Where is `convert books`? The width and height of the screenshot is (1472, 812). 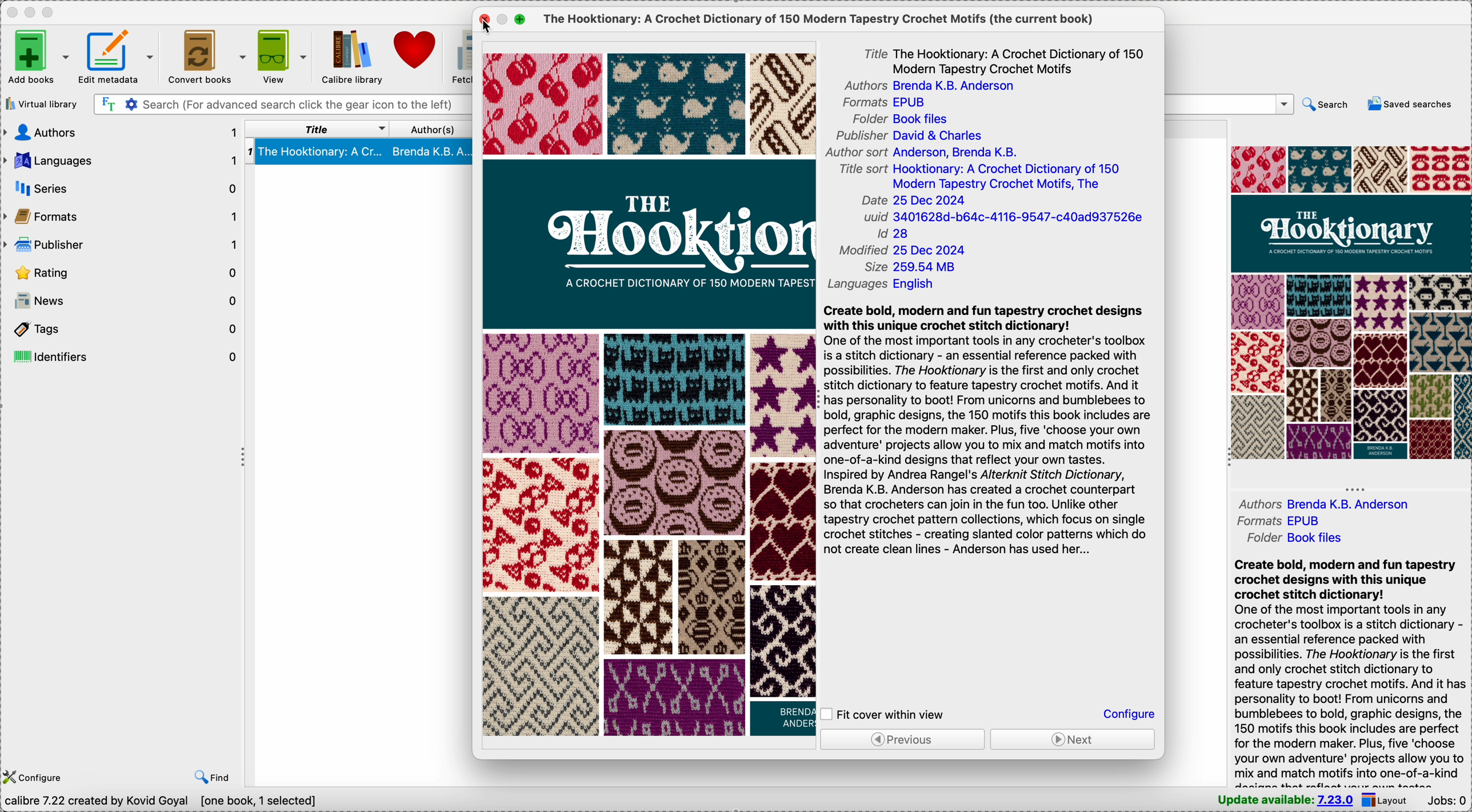 convert books is located at coordinates (205, 56).